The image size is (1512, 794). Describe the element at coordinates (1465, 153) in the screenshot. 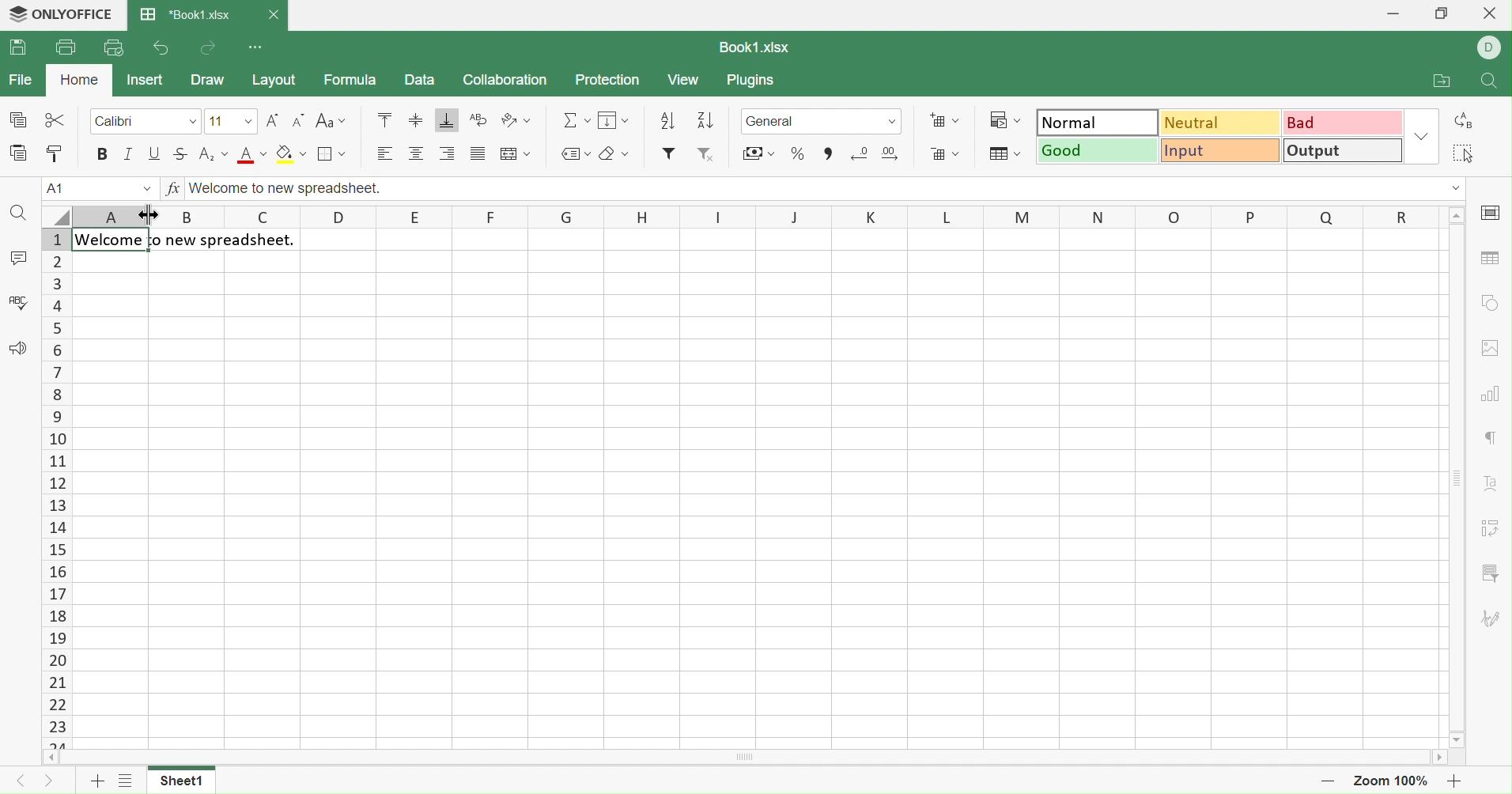

I see `Select all` at that location.